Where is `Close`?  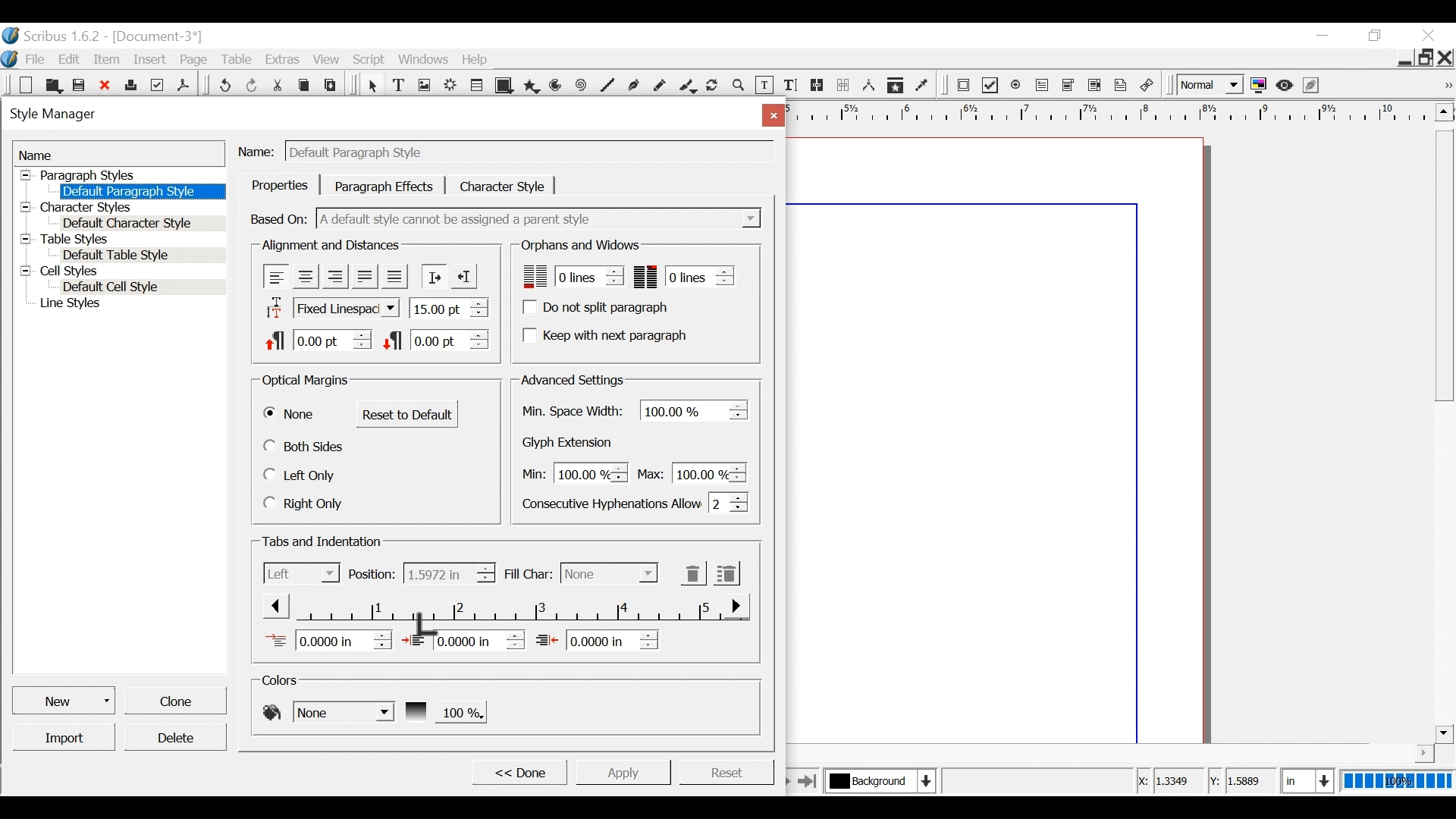
Close is located at coordinates (770, 115).